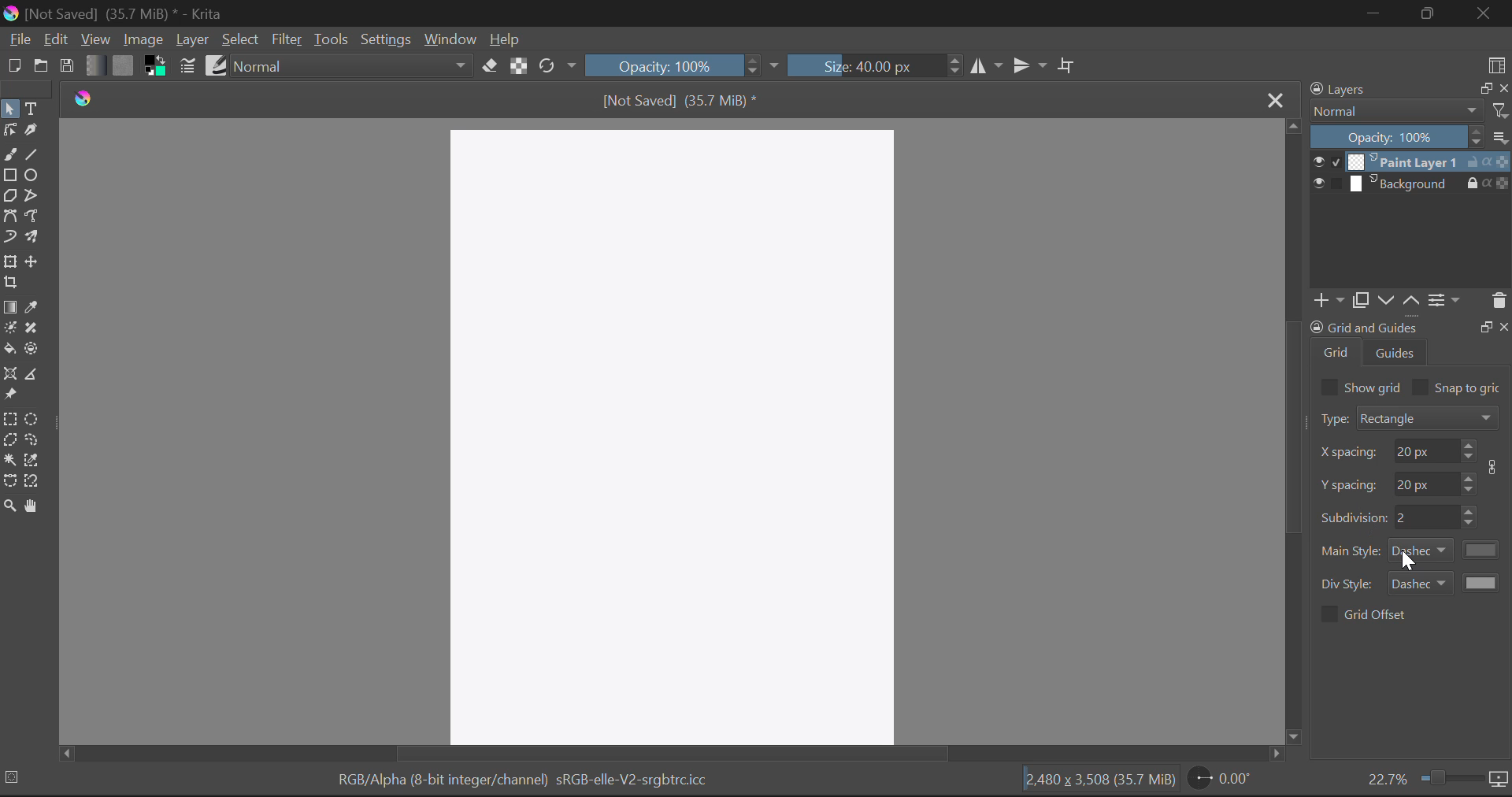  Describe the element at coordinates (1403, 183) in the screenshot. I see `layer 2` at that location.